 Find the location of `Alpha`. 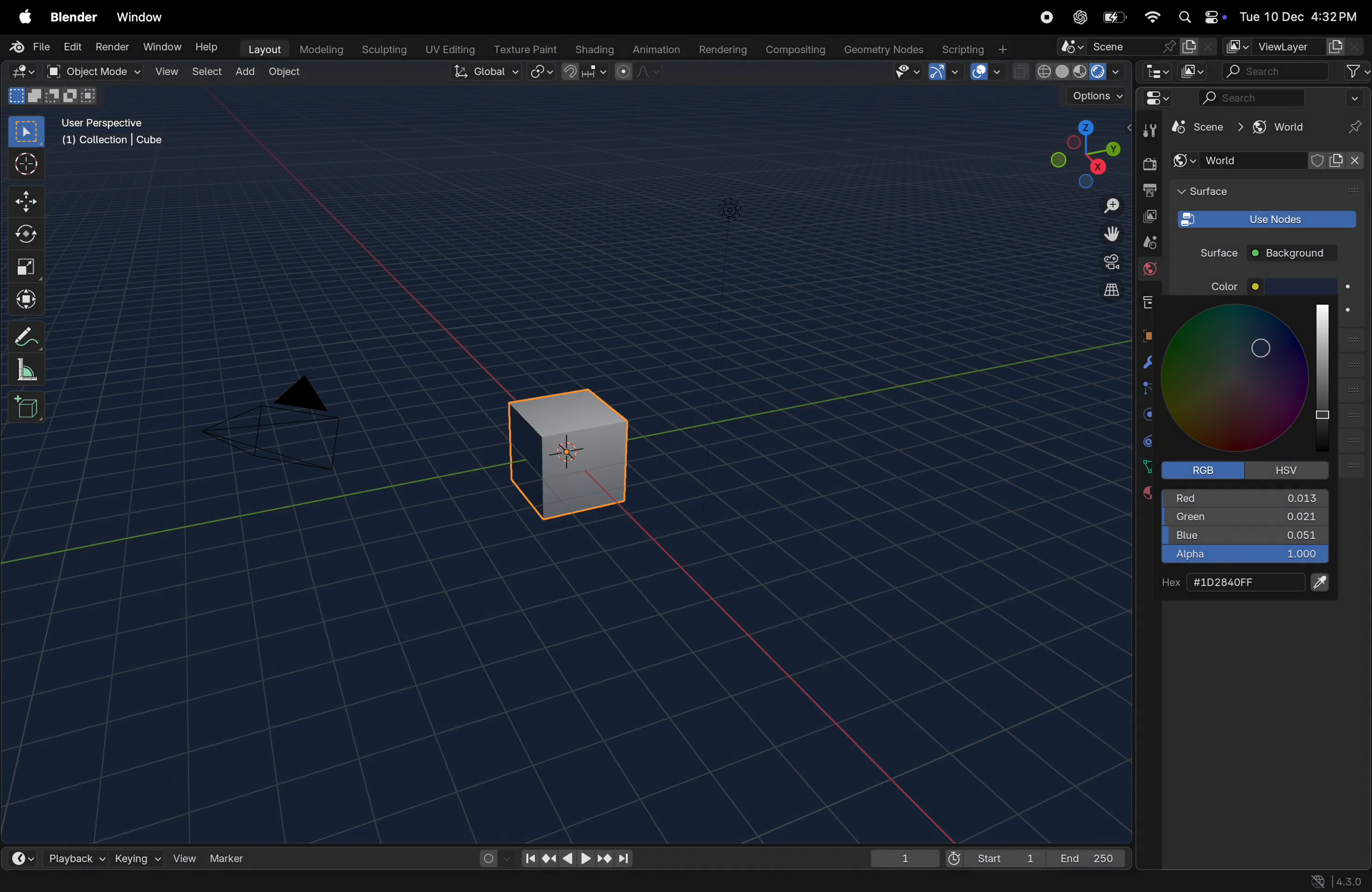

Alpha is located at coordinates (1243, 557).